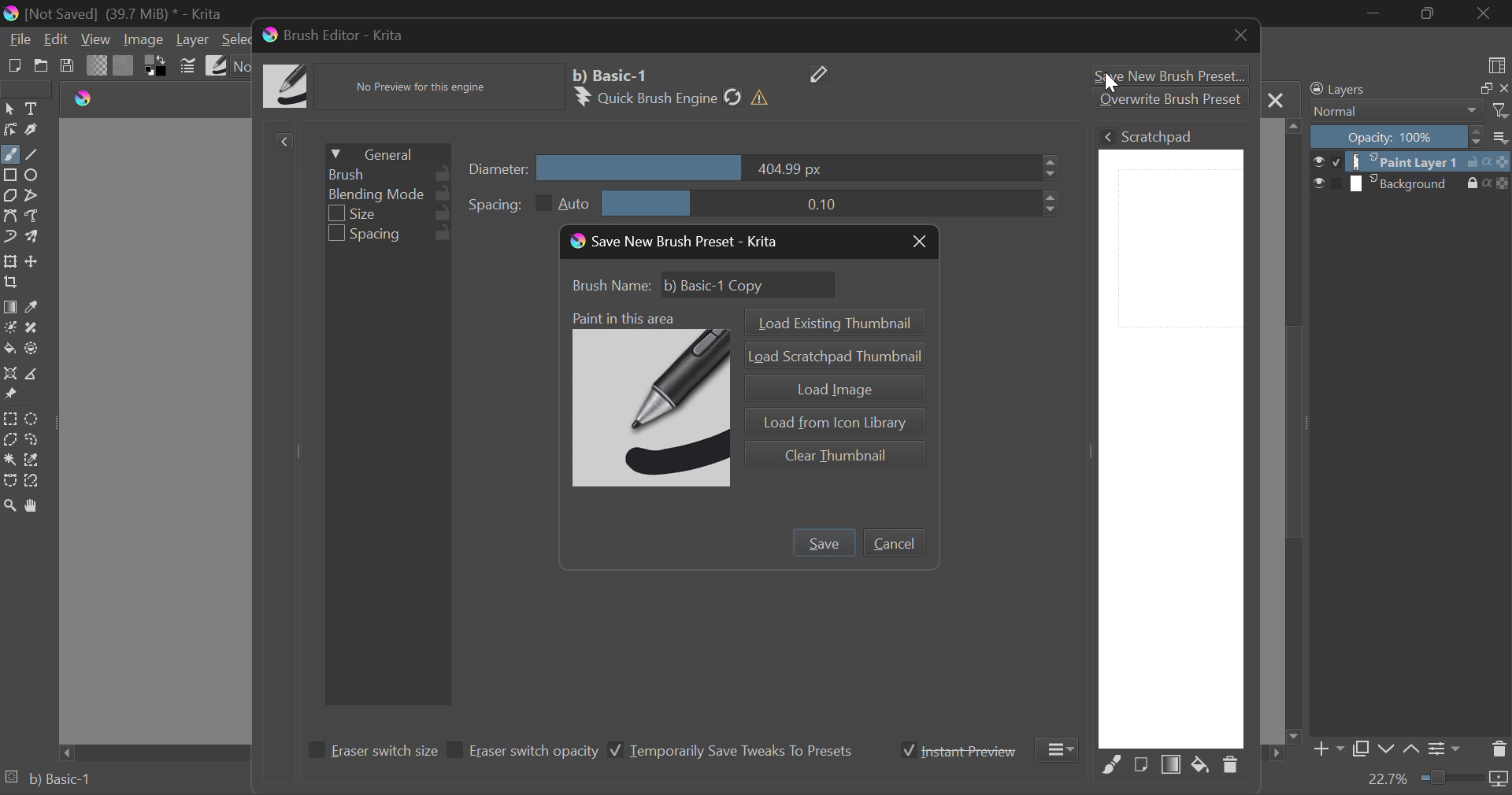  I want to click on Brush Engine, so click(675, 98).